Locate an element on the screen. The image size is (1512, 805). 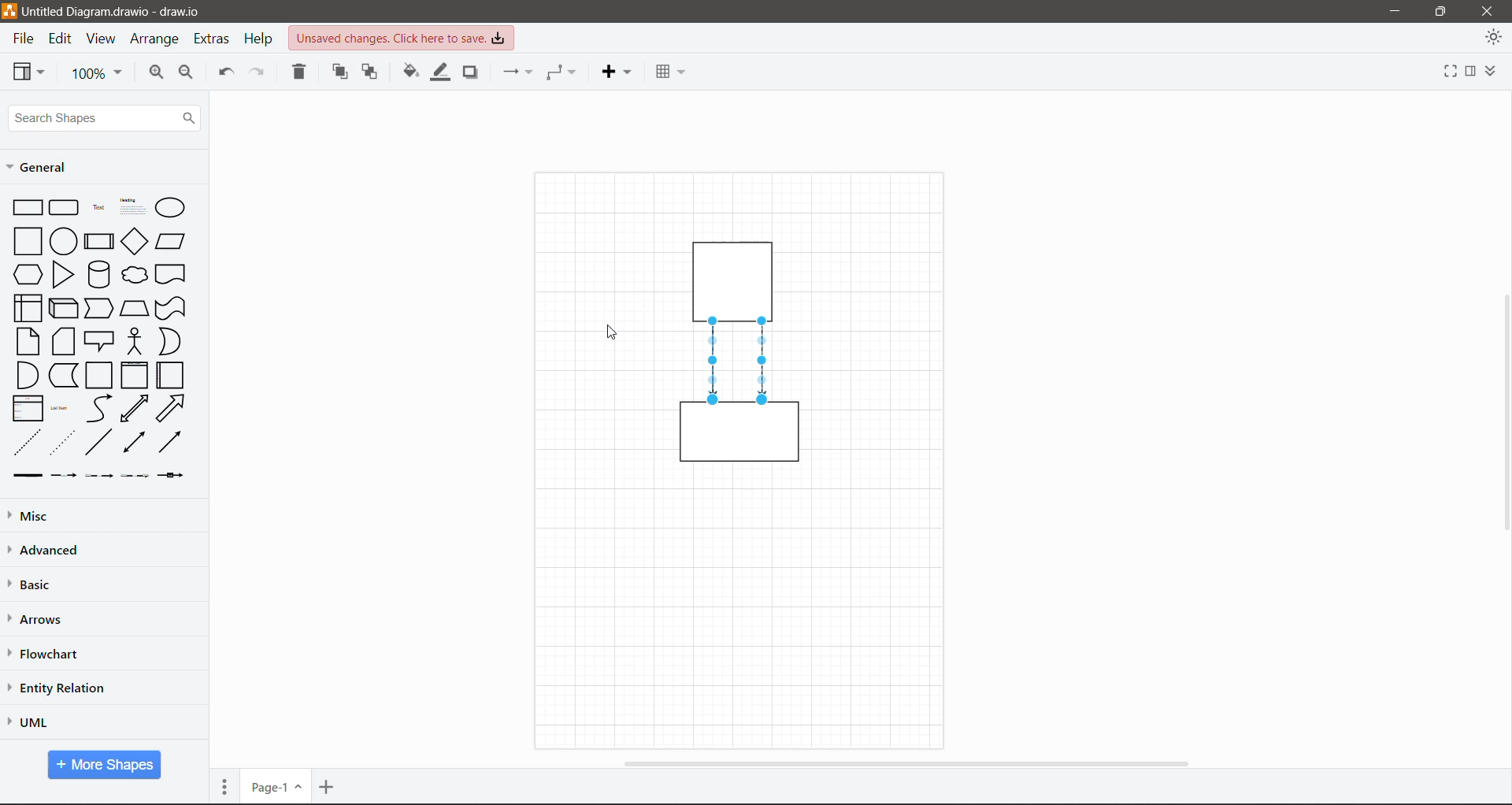
Format is located at coordinates (1470, 69).